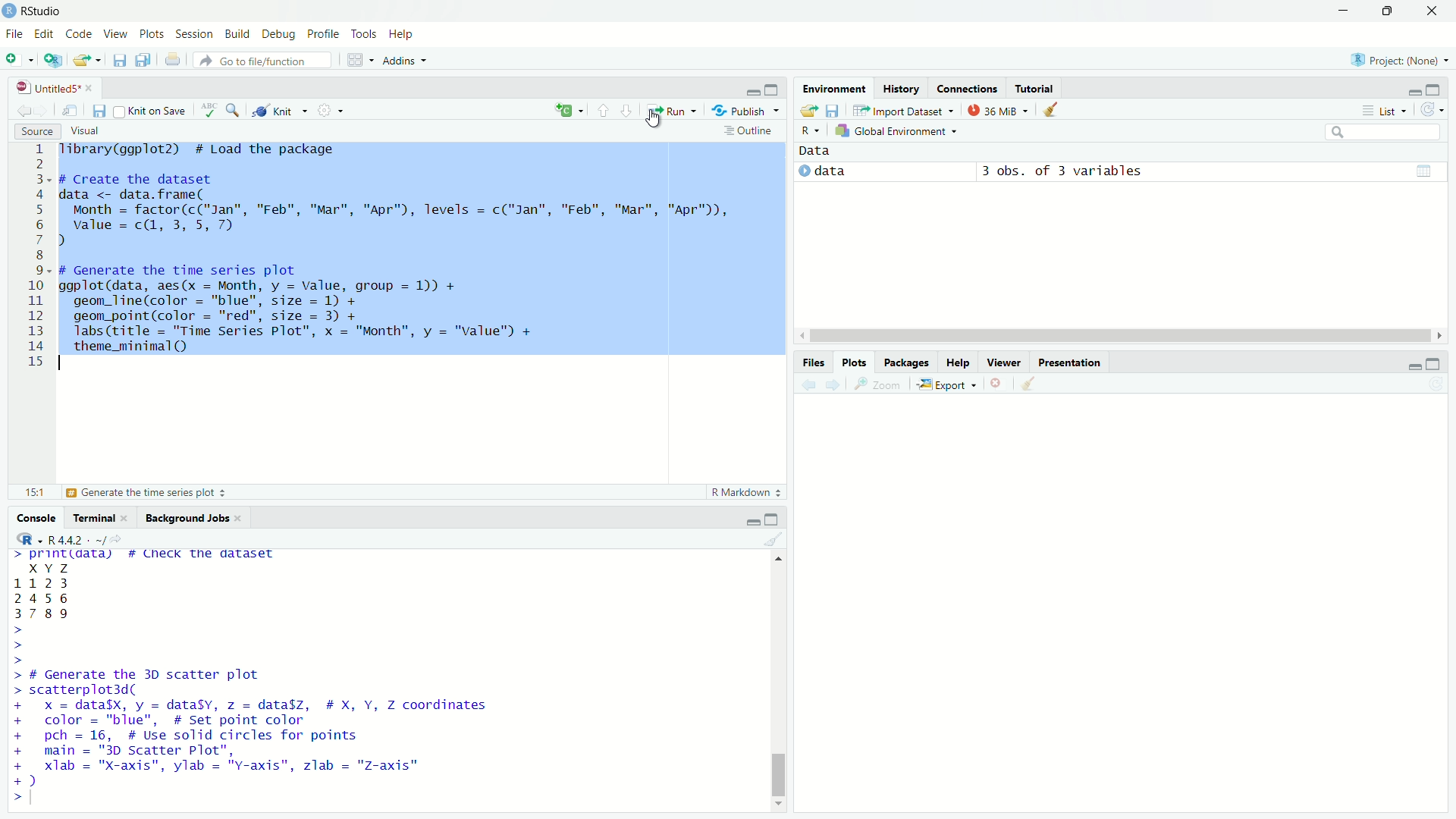 This screenshot has width=1456, height=819. What do you see at coordinates (812, 360) in the screenshot?
I see `files` at bounding box center [812, 360].